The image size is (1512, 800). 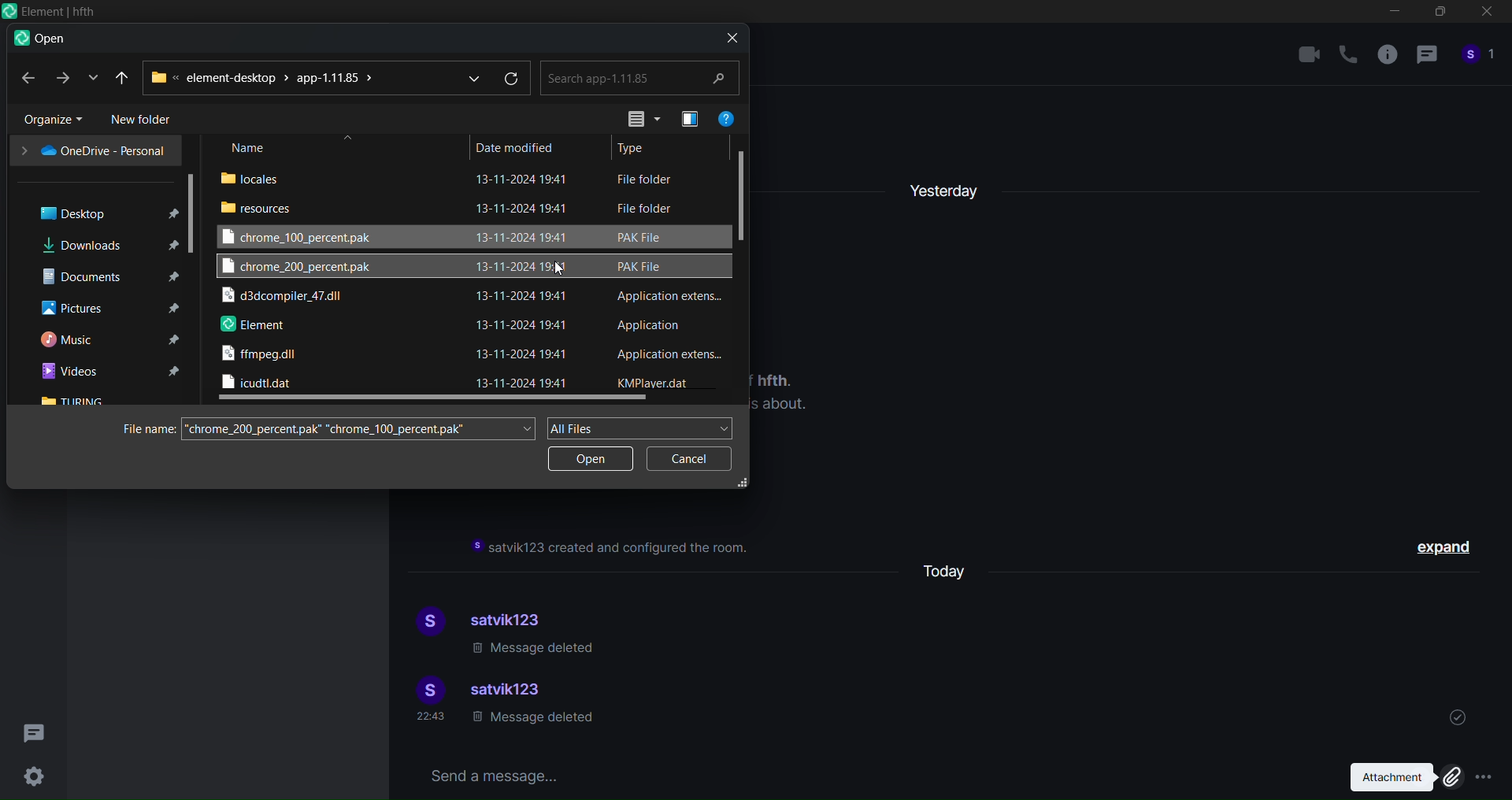 I want to click on resouces, so click(x=260, y=207).